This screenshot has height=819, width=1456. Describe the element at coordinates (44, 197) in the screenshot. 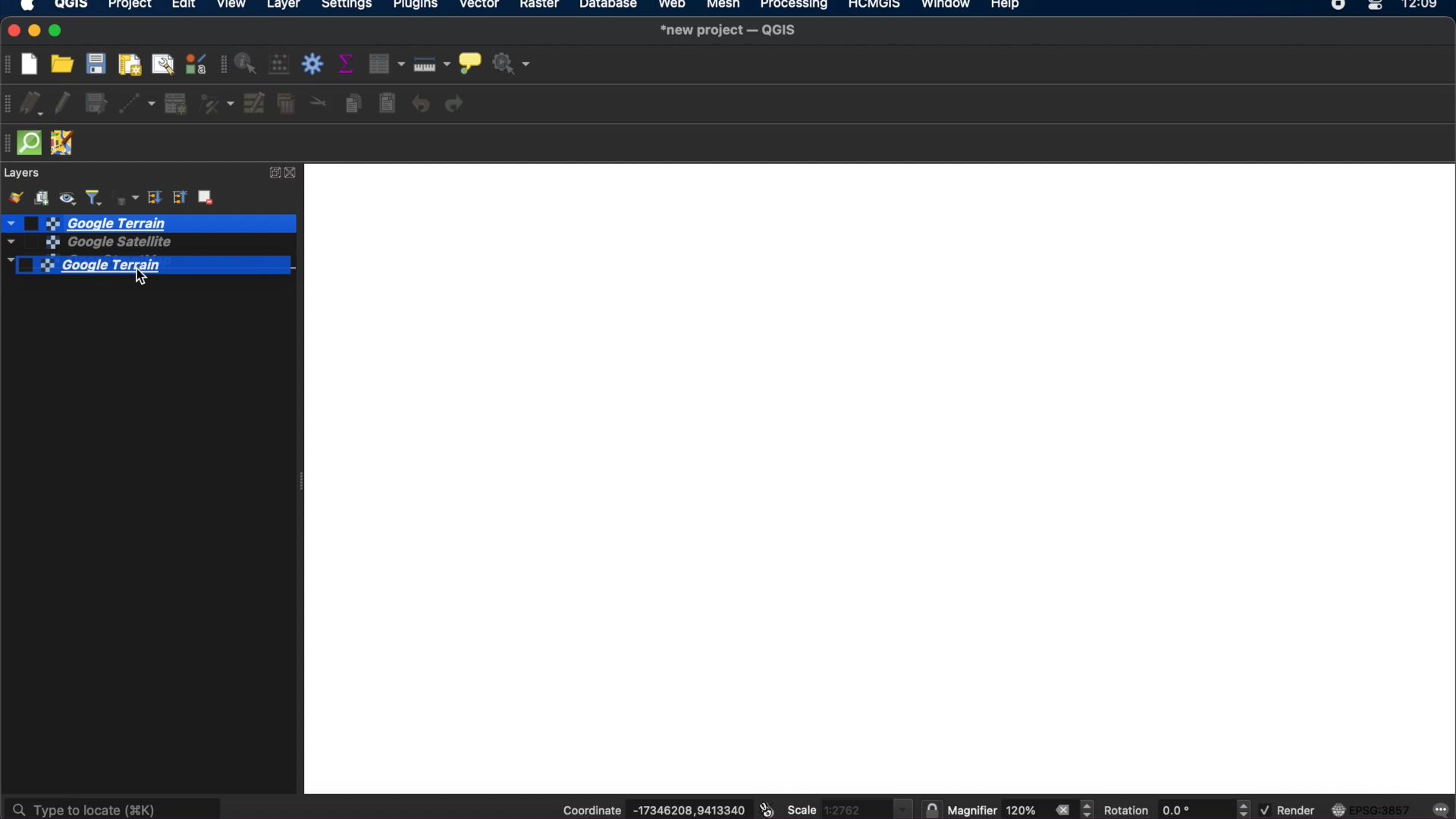

I see `add group` at that location.